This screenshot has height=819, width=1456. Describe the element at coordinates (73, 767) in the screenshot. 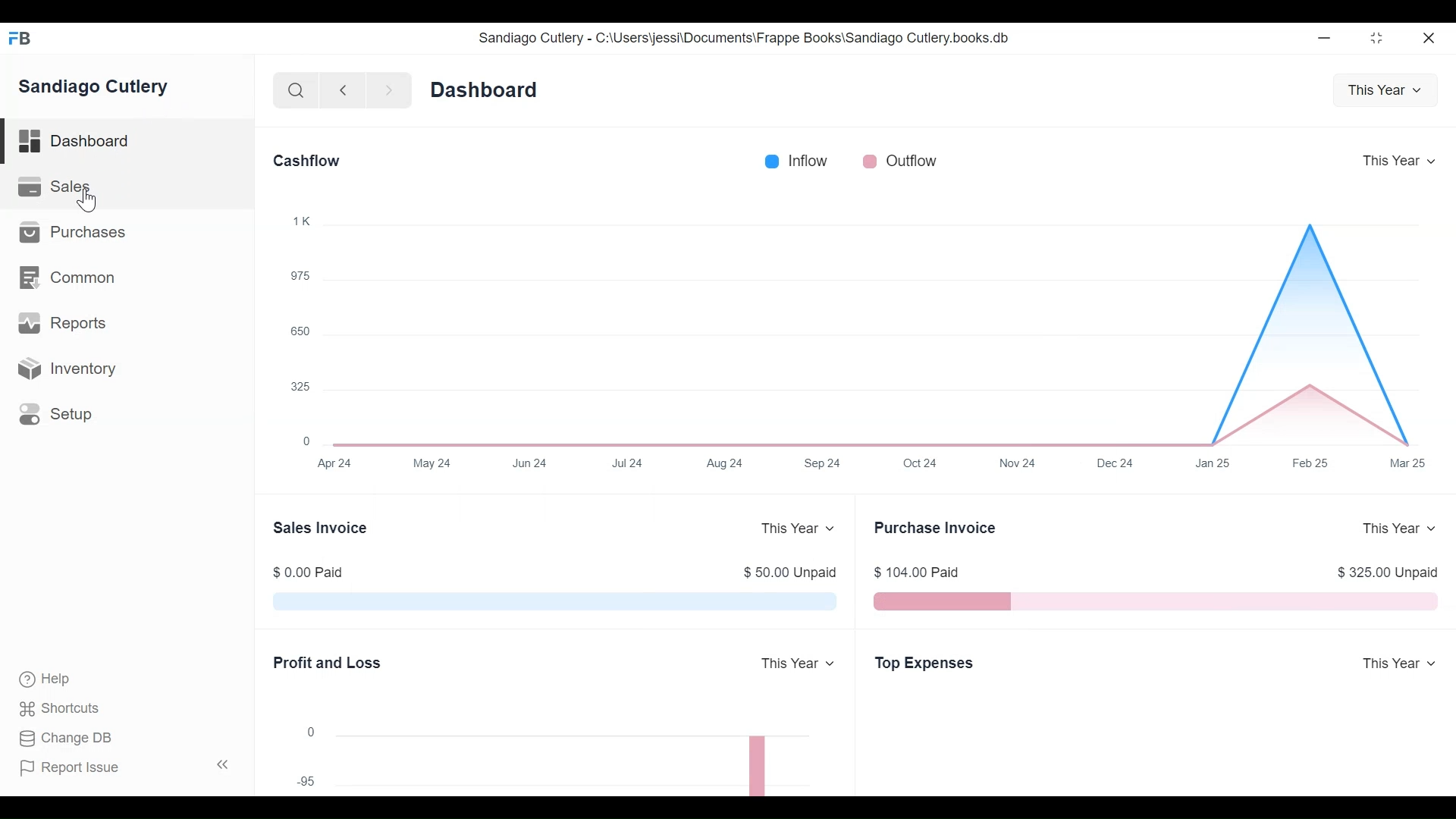

I see `Report Issue` at that location.